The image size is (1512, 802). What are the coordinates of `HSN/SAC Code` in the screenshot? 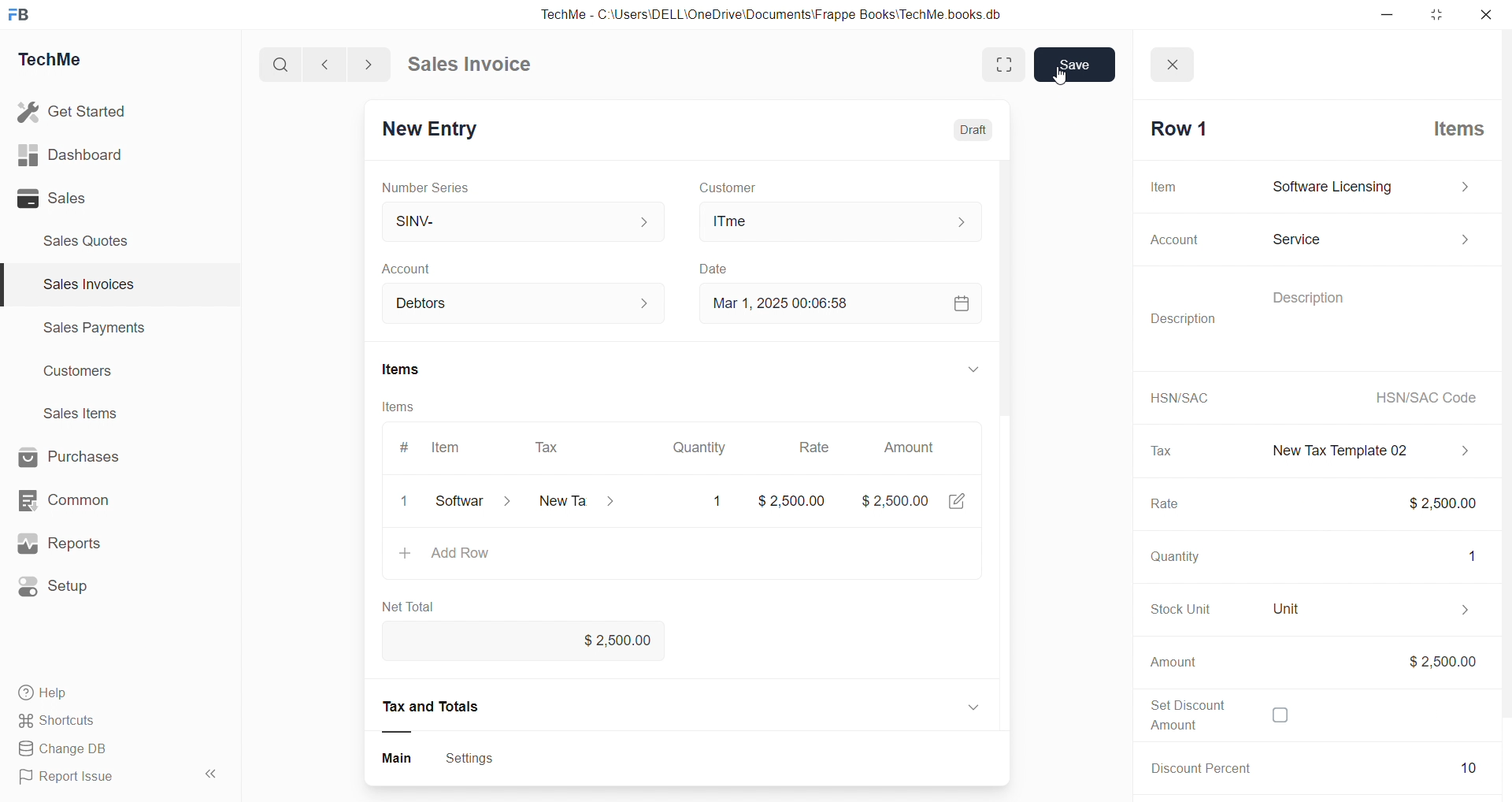 It's located at (1421, 397).